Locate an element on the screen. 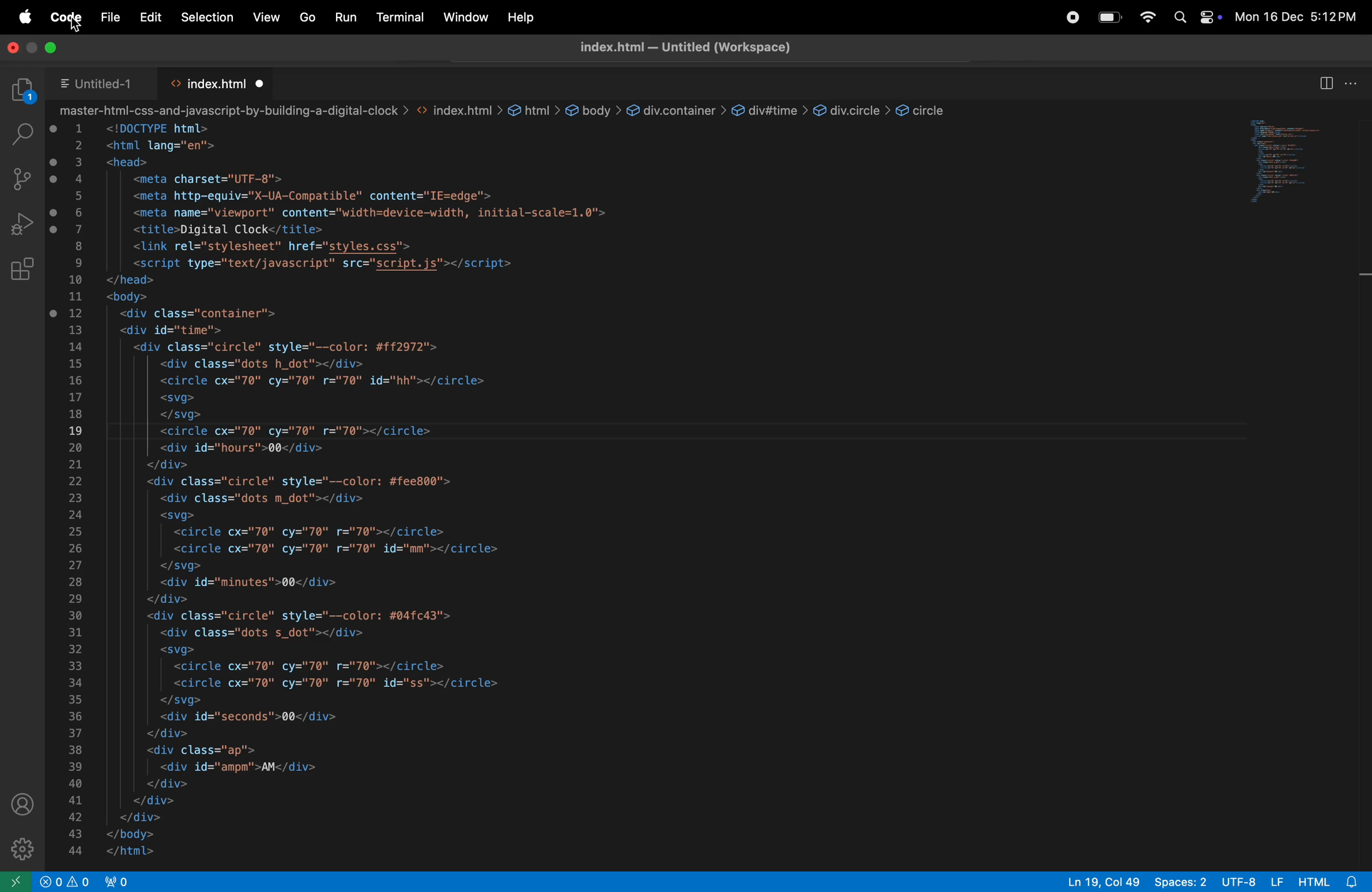 This screenshot has height=892, width=1372. terminal is located at coordinates (401, 17).